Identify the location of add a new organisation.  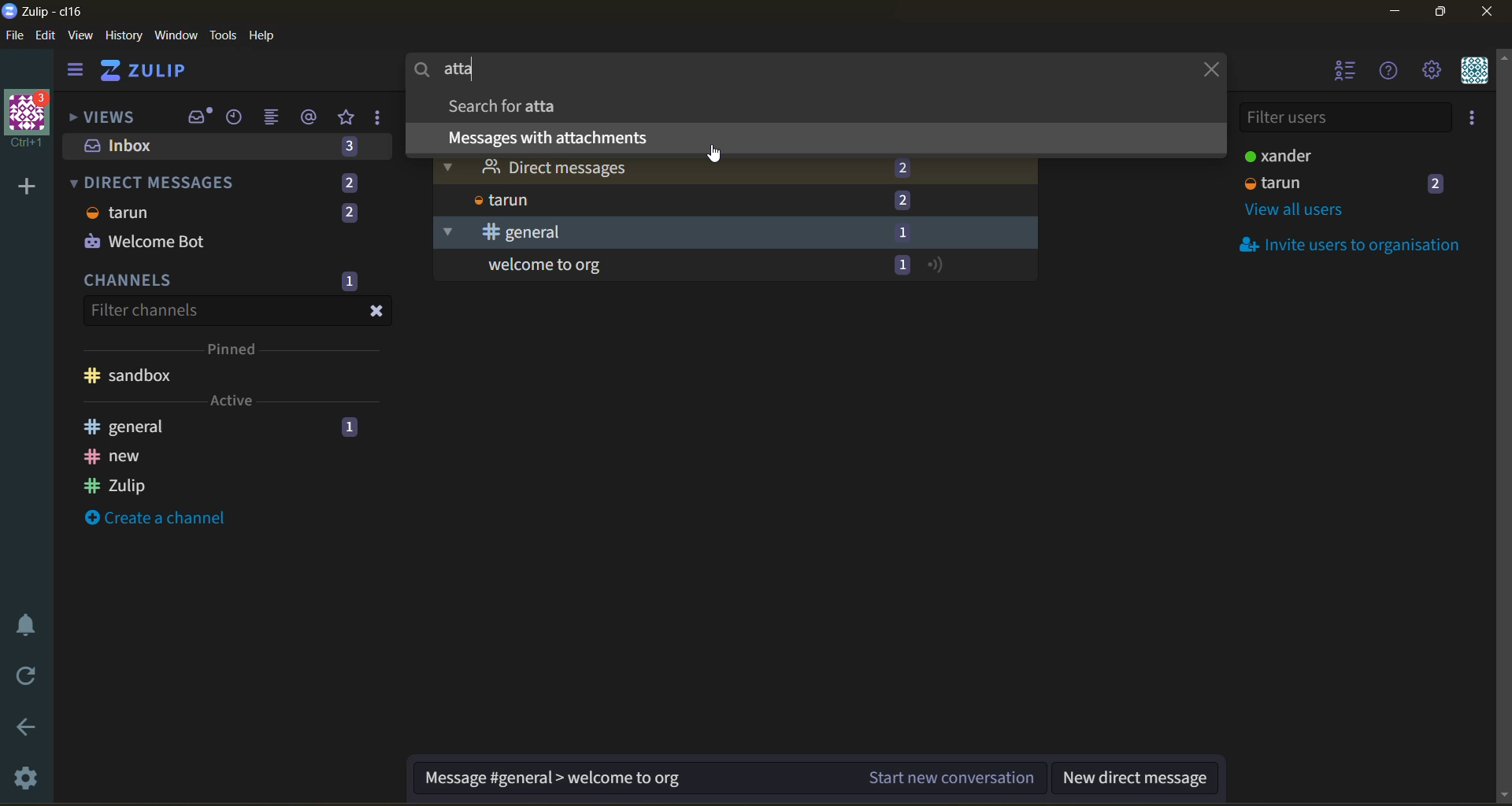
(28, 186).